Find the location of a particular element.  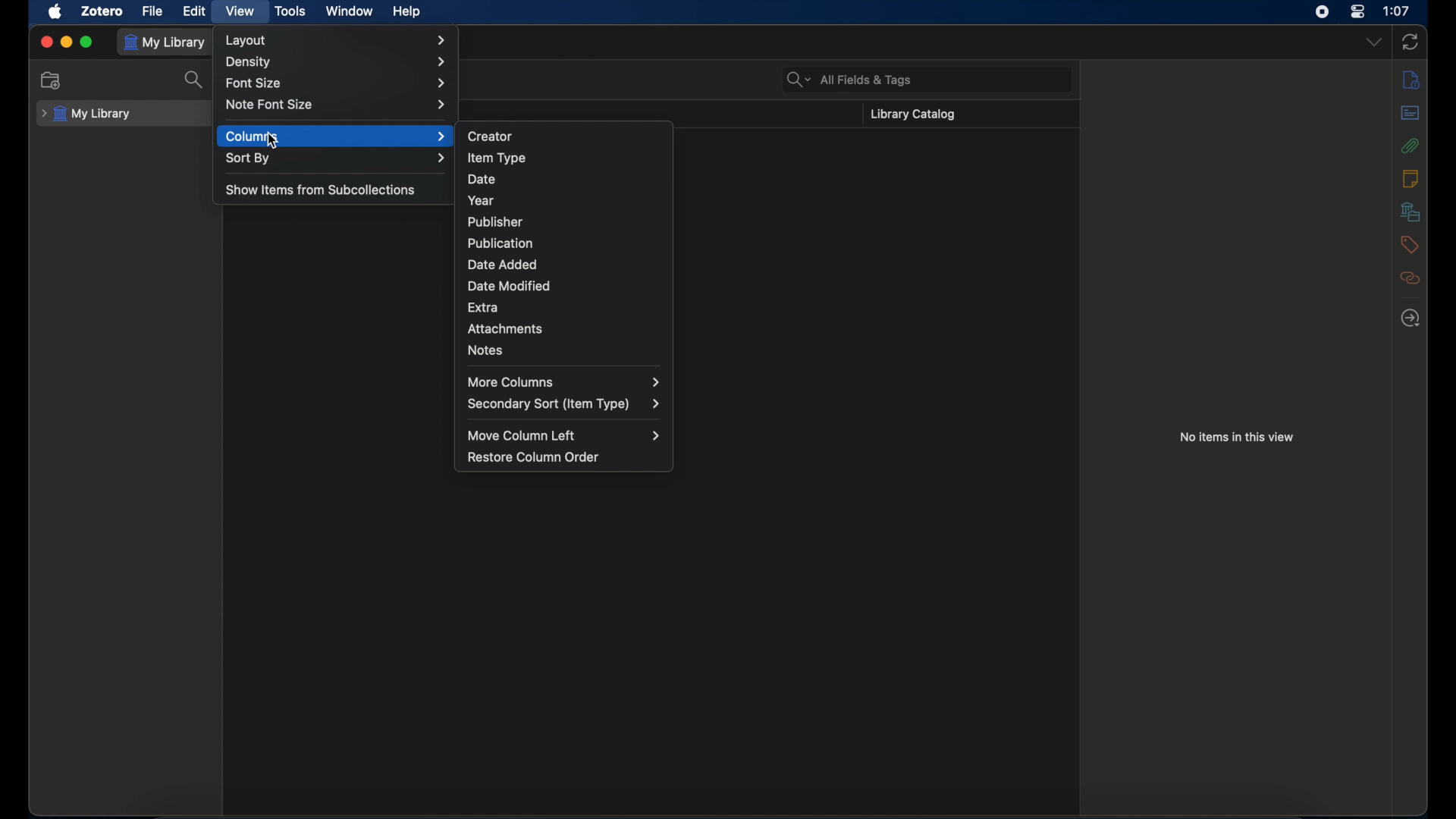

dropdown is located at coordinates (1375, 42).